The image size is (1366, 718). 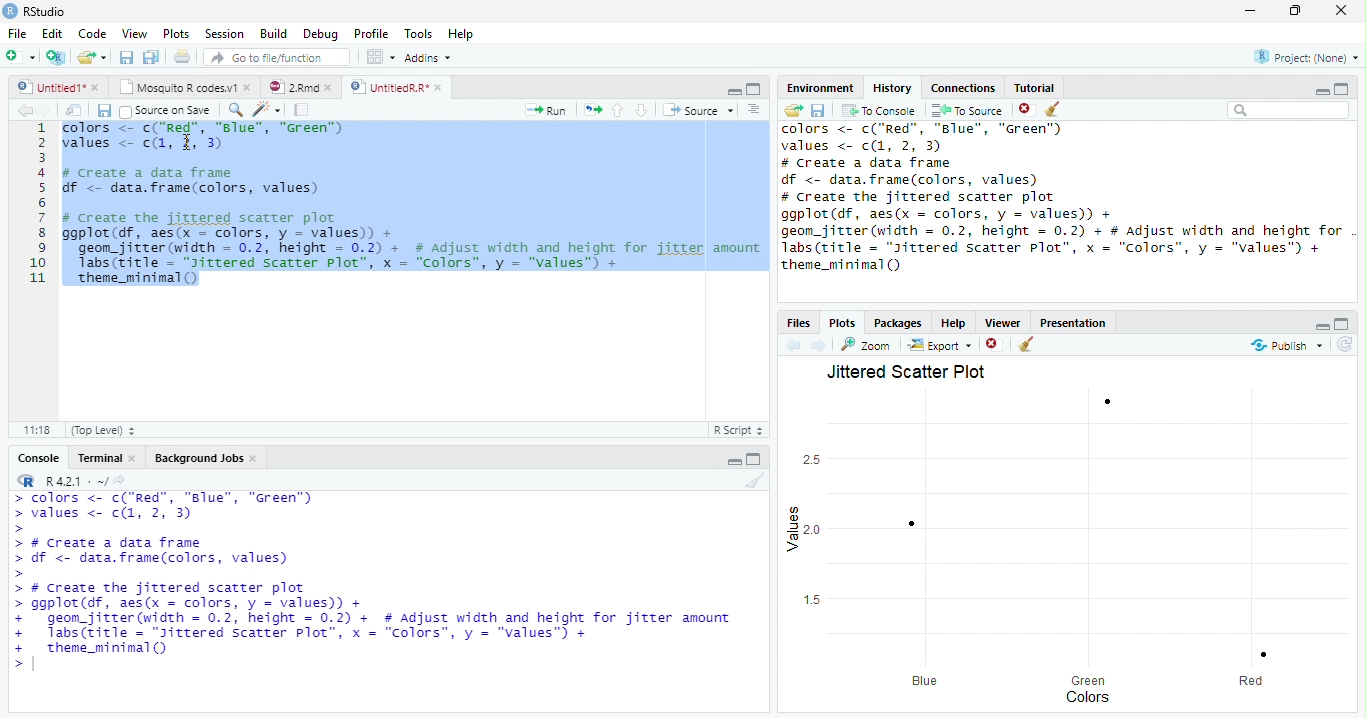 I want to click on Save history into a file, so click(x=818, y=110).